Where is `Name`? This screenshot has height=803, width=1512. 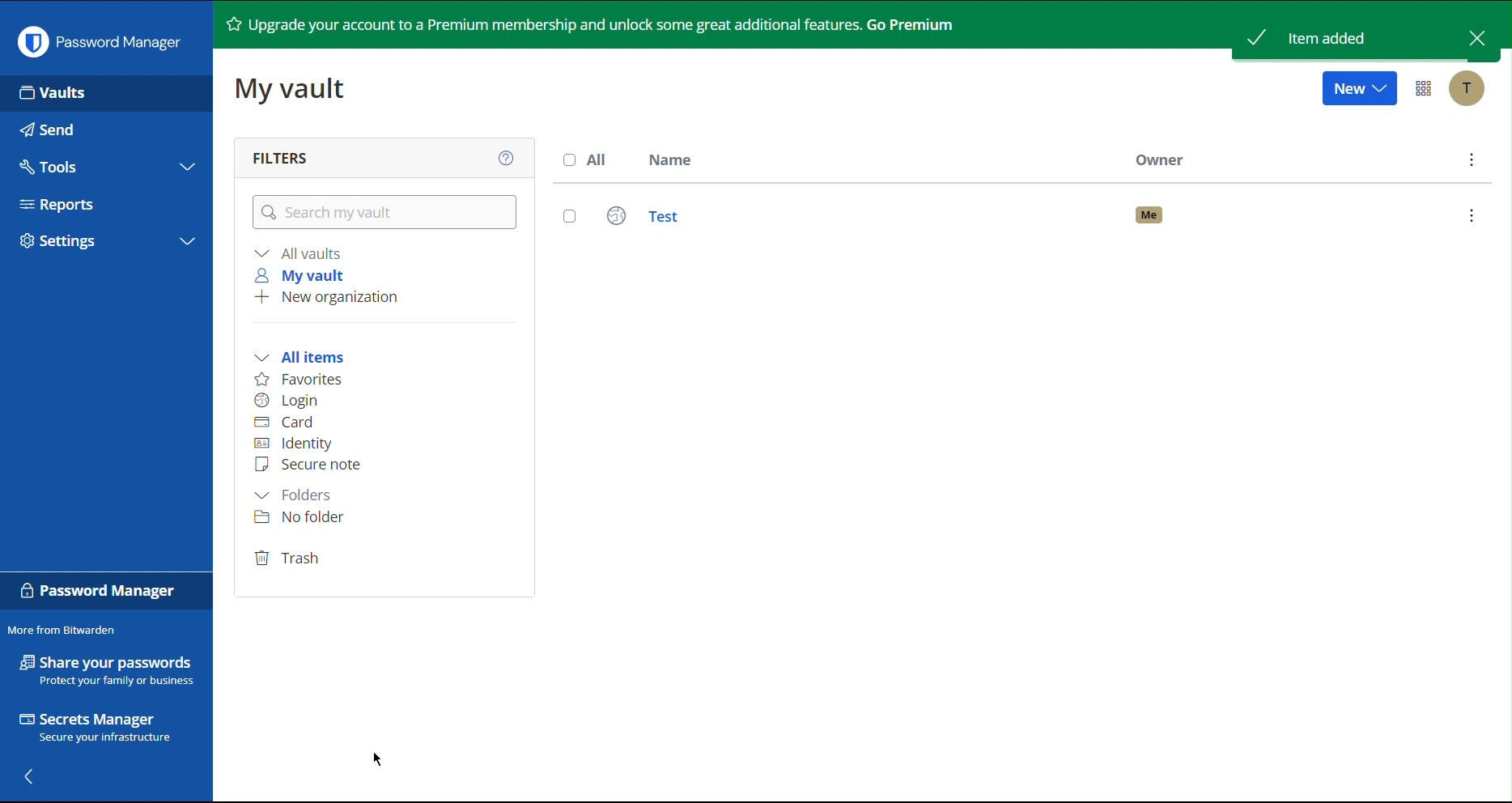
Name is located at coordinates (671, 161).